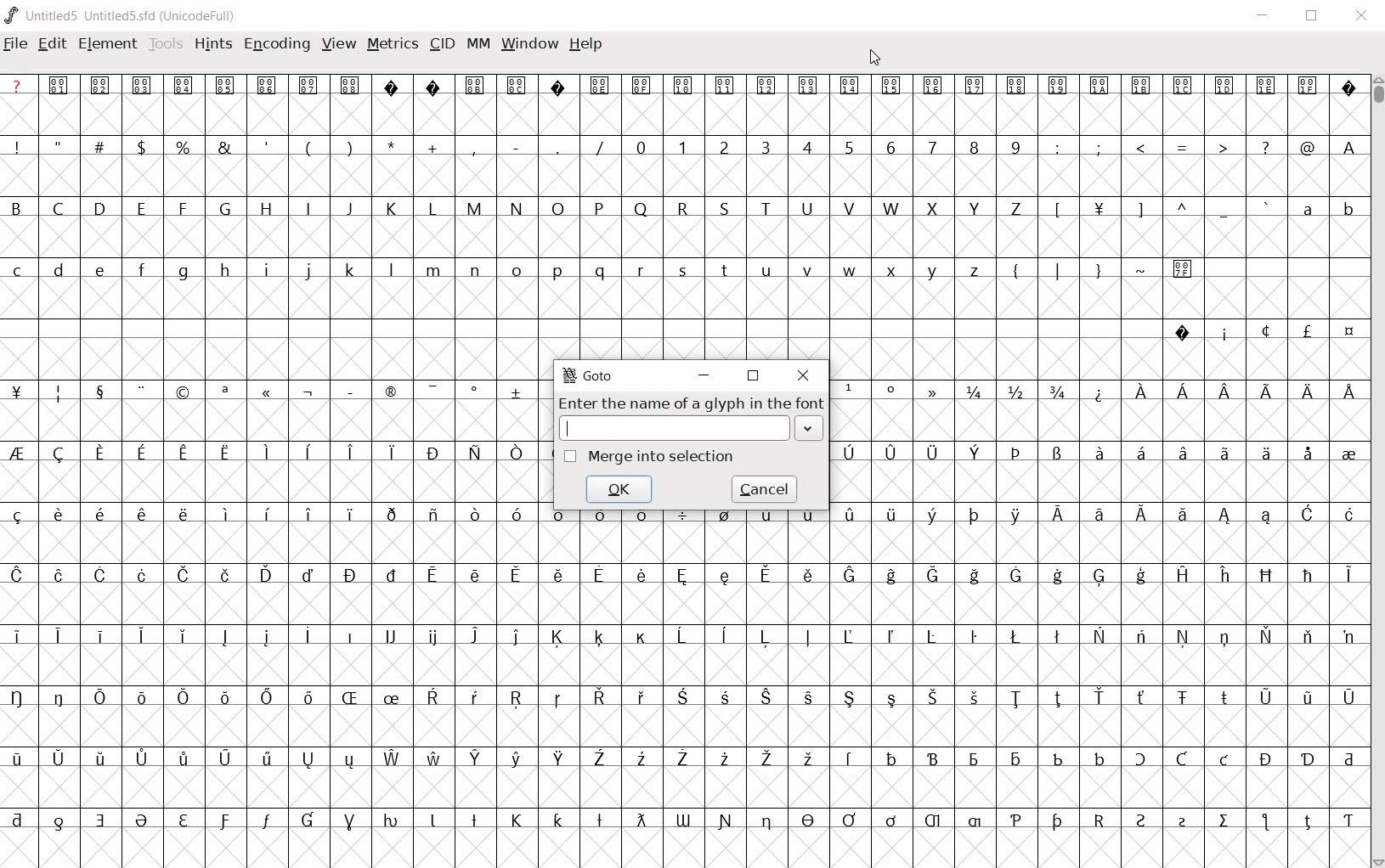 The width and height of the screenshot is (1385, 868). What do you see at coordinates (349, 269) in the screenshot?
I see `k` at bounding box center [349, 269].